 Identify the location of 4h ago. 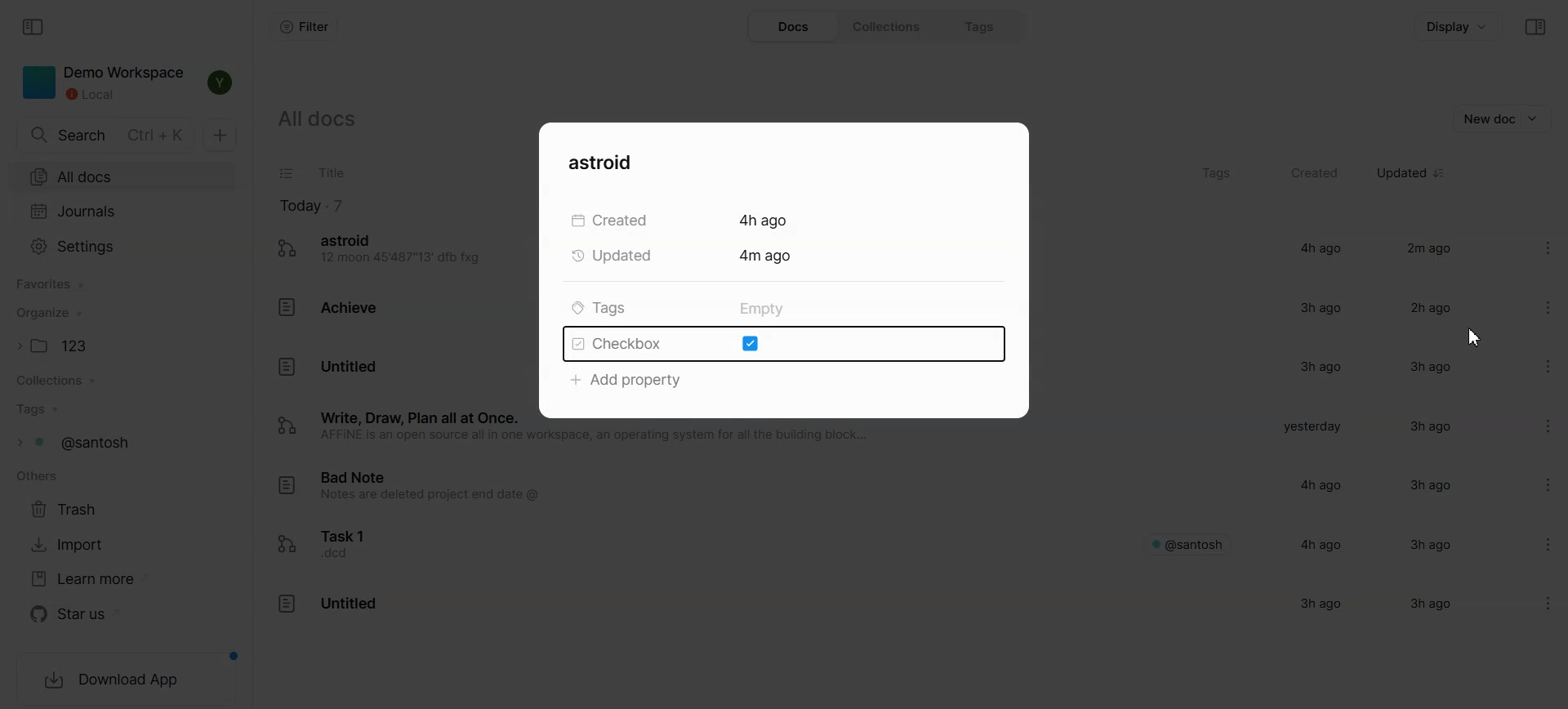
(1321, 544).